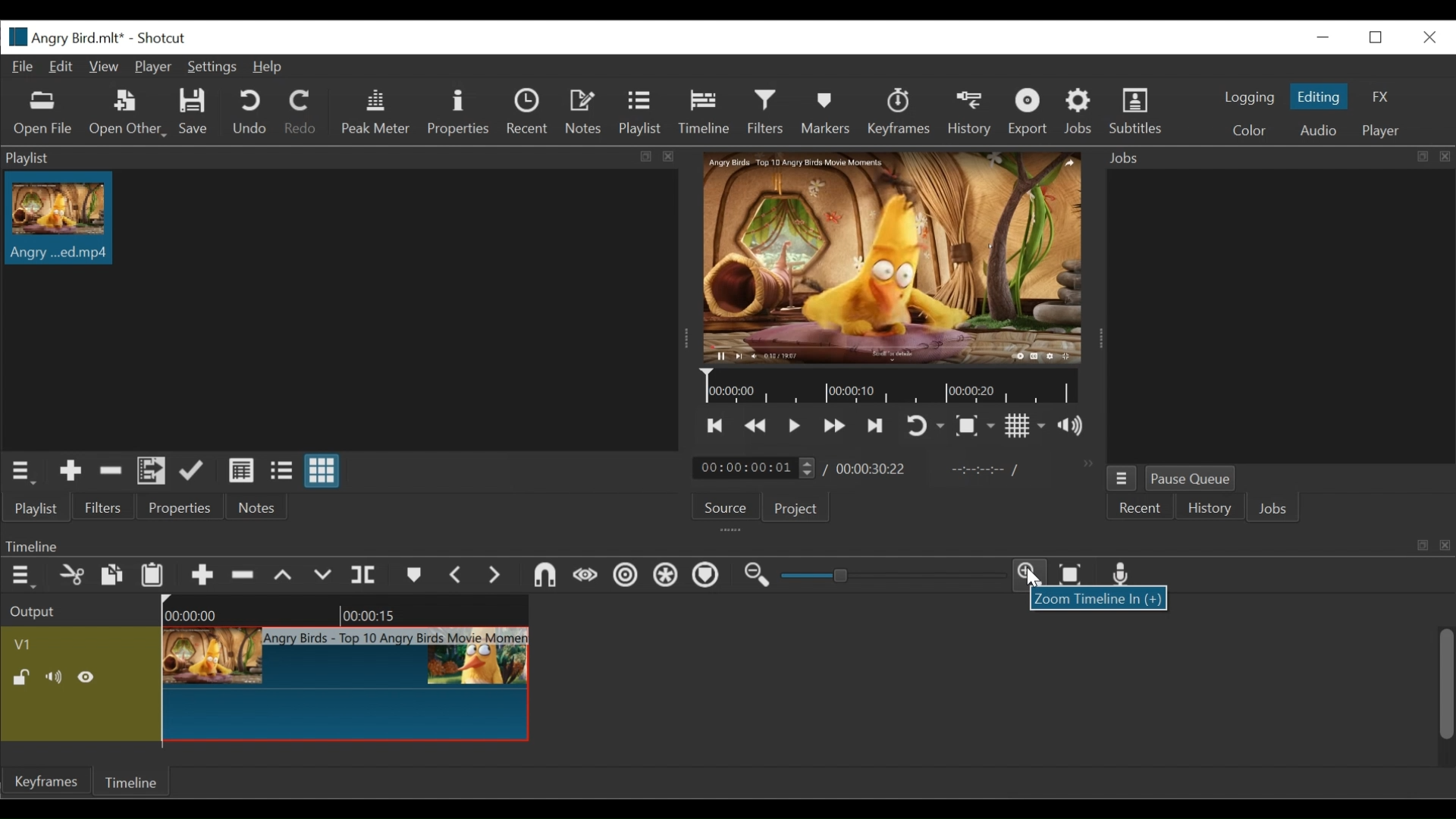 This screenshot has height=819, width=1456. Describe the element at coordinates (242, 472) in the screenshot. I see `View as detail` at that location.